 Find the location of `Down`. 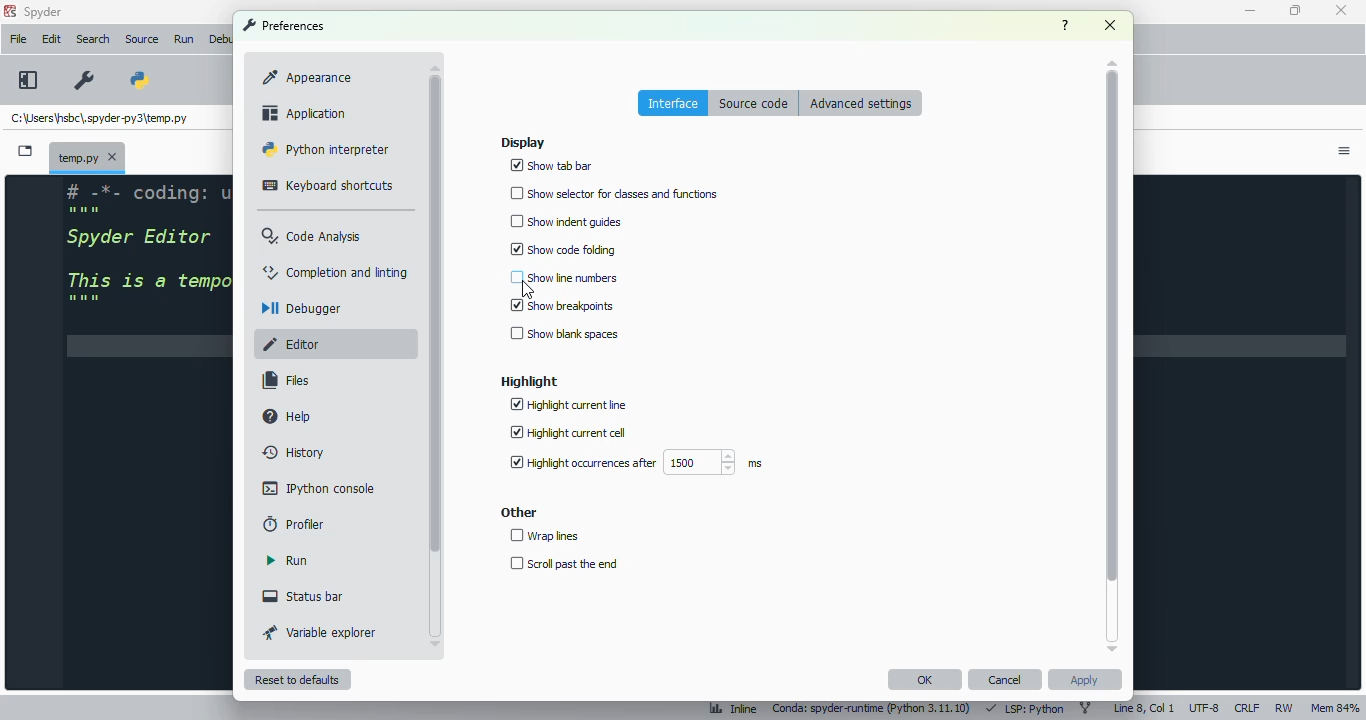

Down is located at coordinates (441, 640).